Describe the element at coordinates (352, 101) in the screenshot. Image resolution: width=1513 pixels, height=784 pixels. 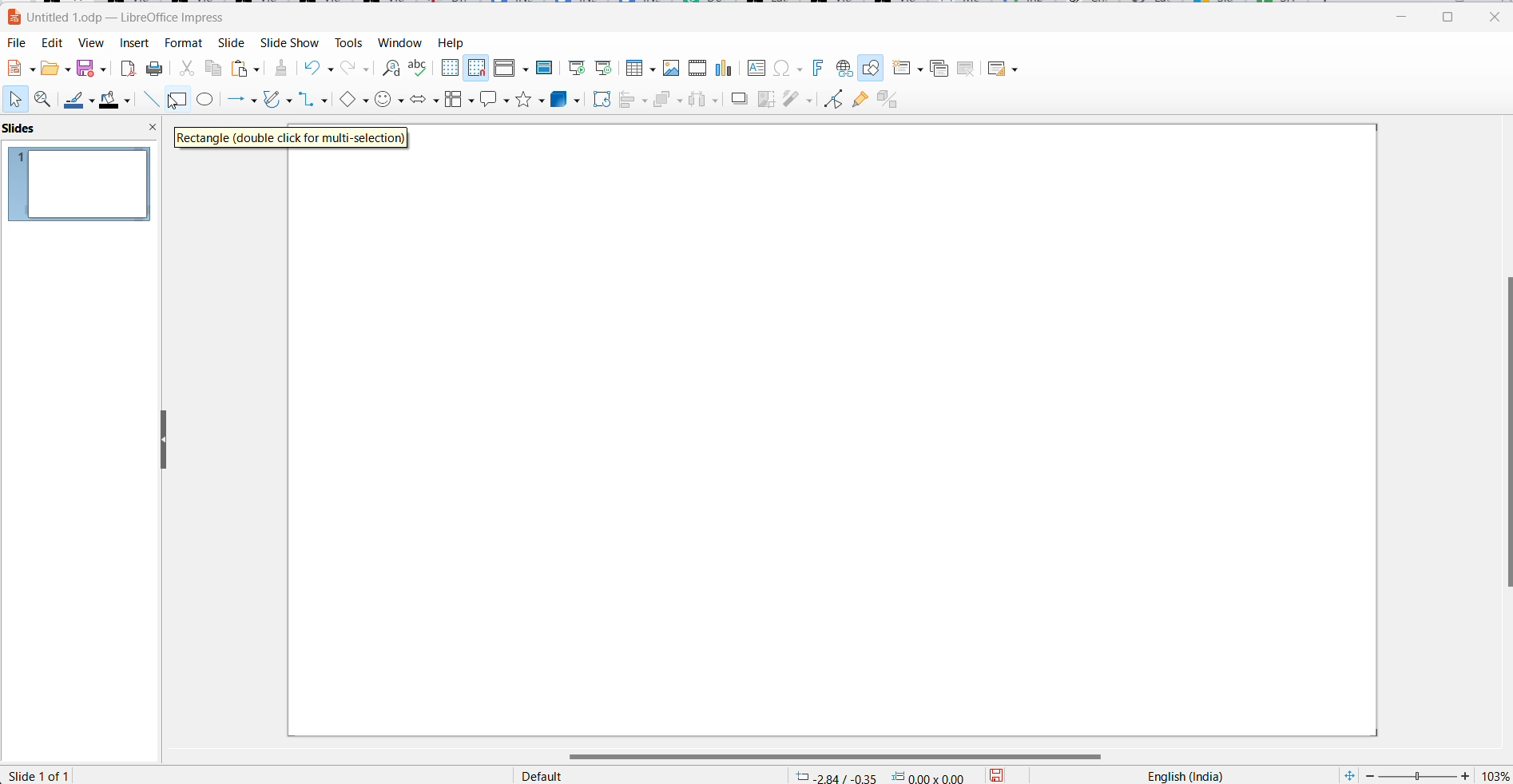
I see `basic shapes` at that location.